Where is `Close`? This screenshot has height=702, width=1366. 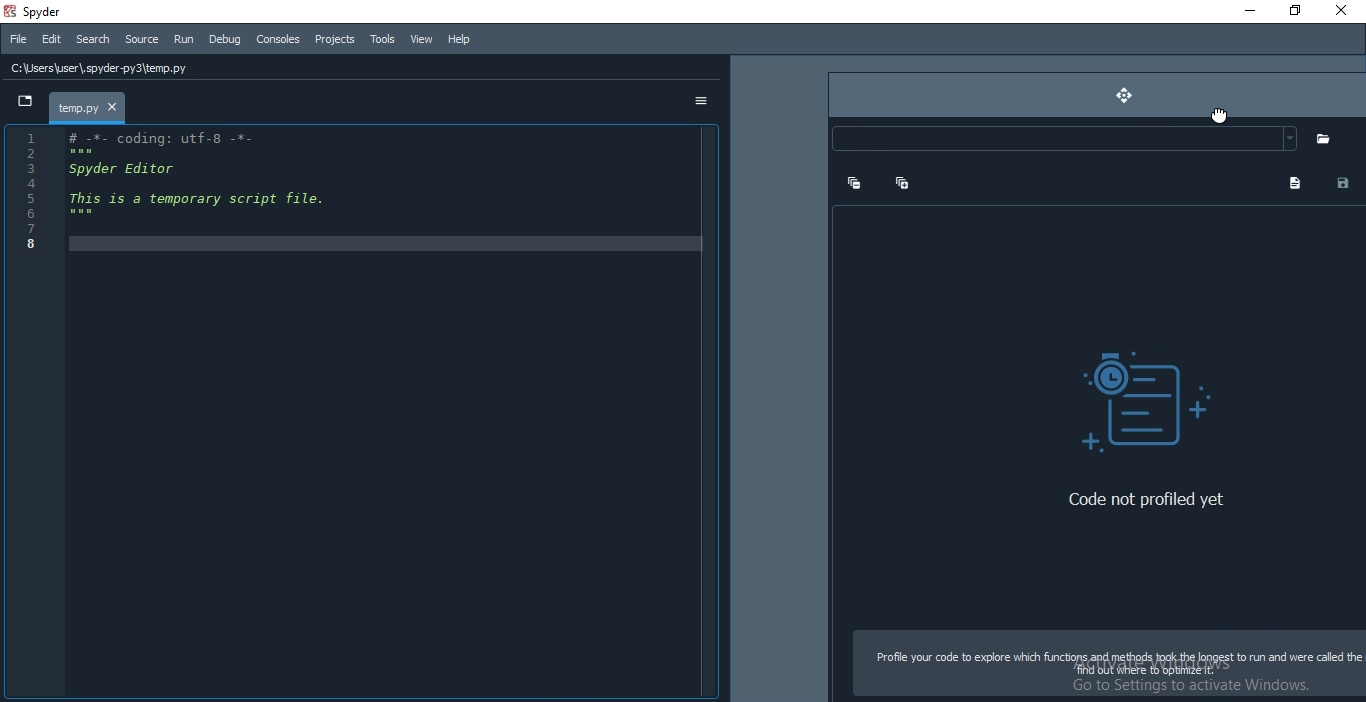 Close is located at coordinates (1343, 11).